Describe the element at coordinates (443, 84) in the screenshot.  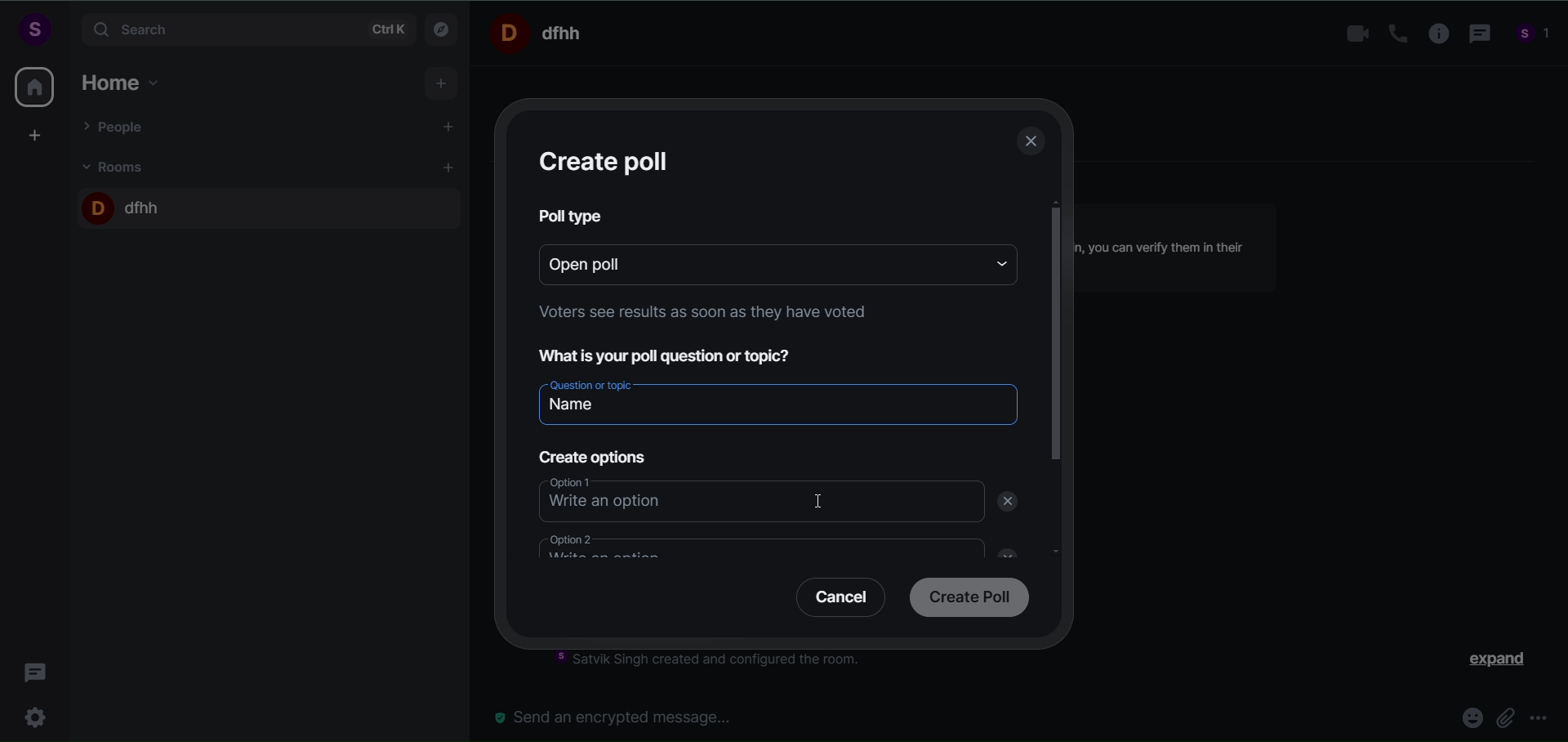
I see `add` at that location.